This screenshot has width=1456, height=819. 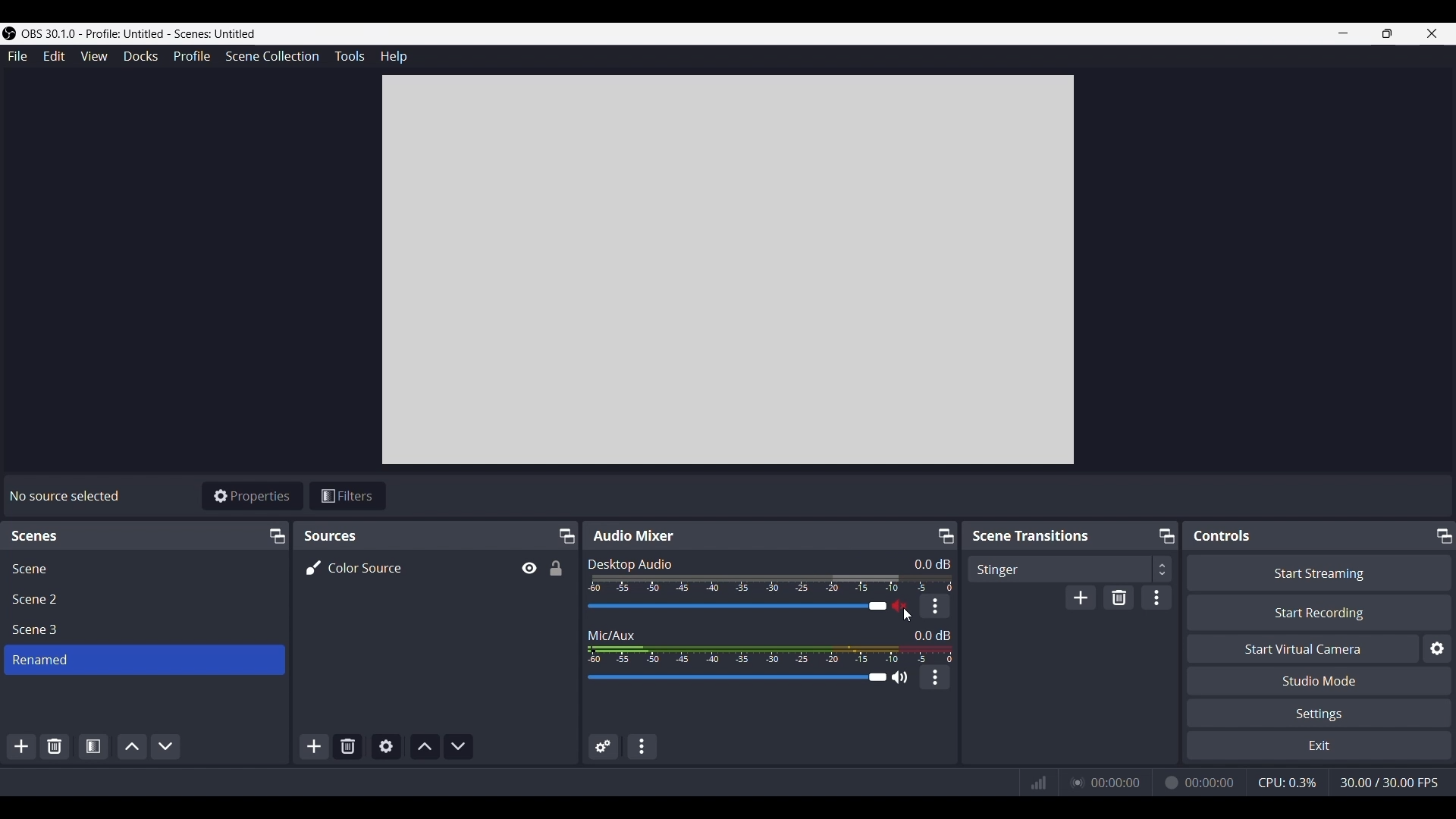 I want to click on Tools, so click(x=350, y=56).